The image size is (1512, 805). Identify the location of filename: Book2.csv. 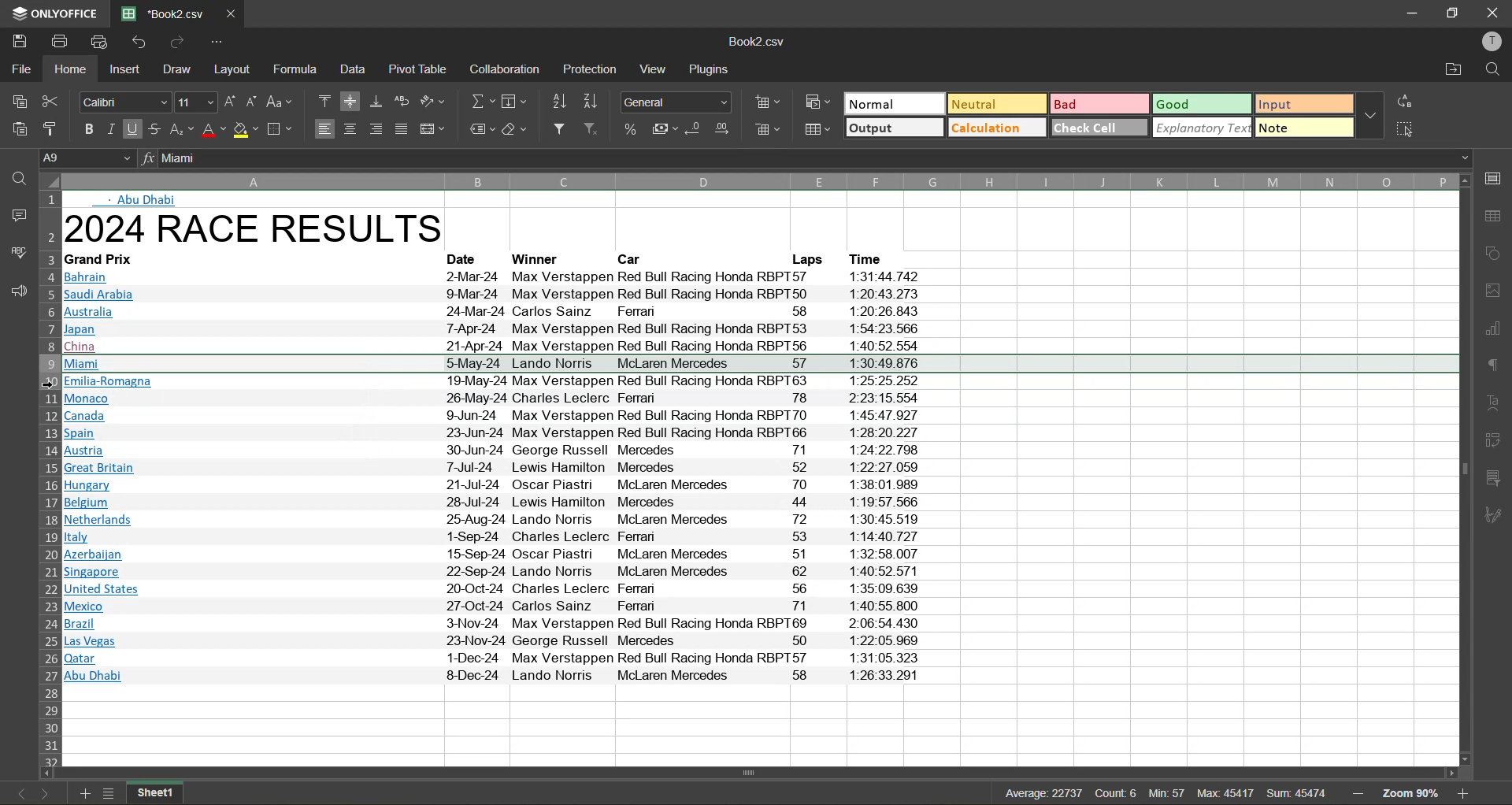
(165, 14).